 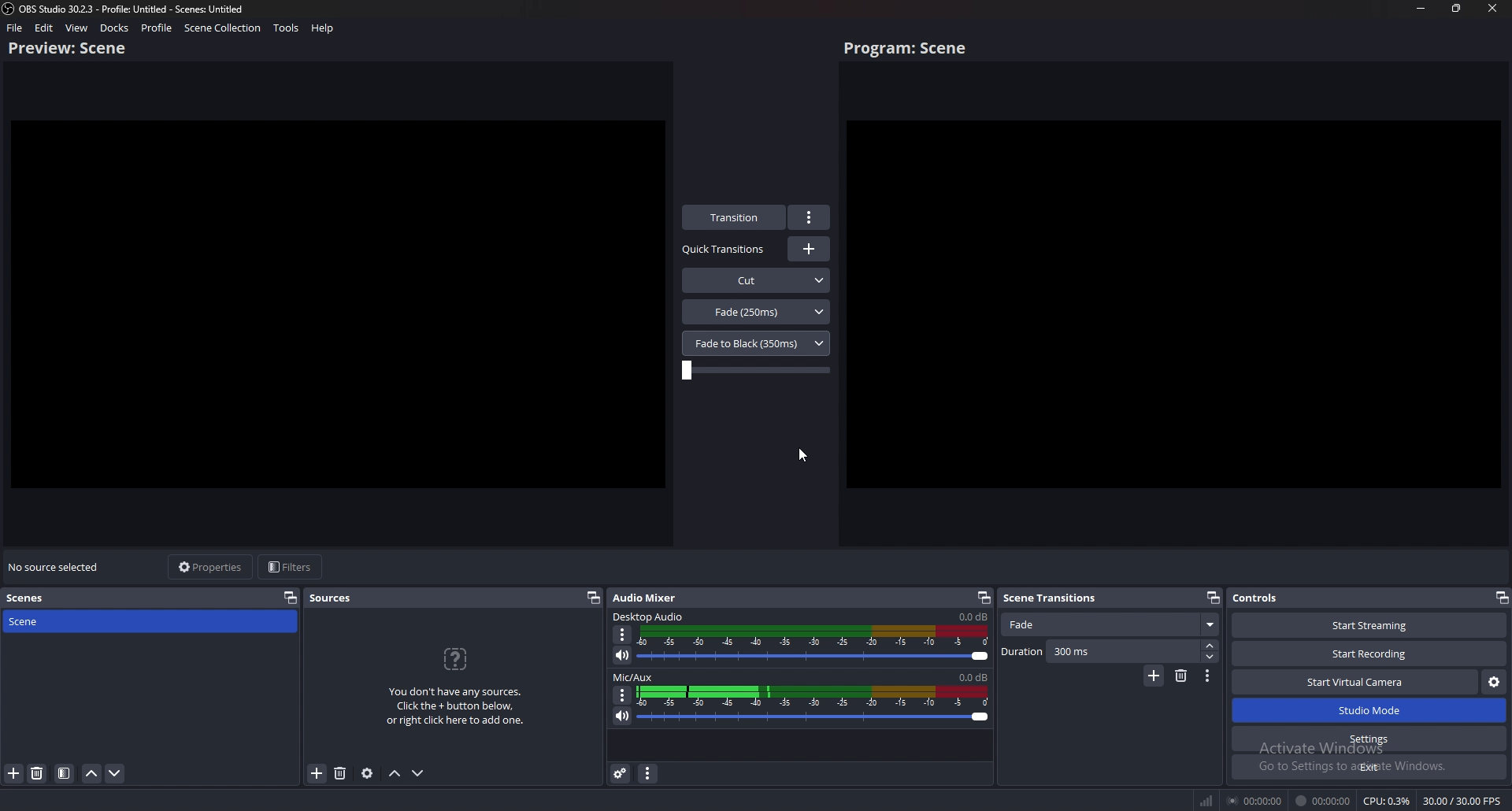 What do you see at coordinates (649, 774) in the screenshot?
I see `audio mixer menu` at bounding box center [649, 774].